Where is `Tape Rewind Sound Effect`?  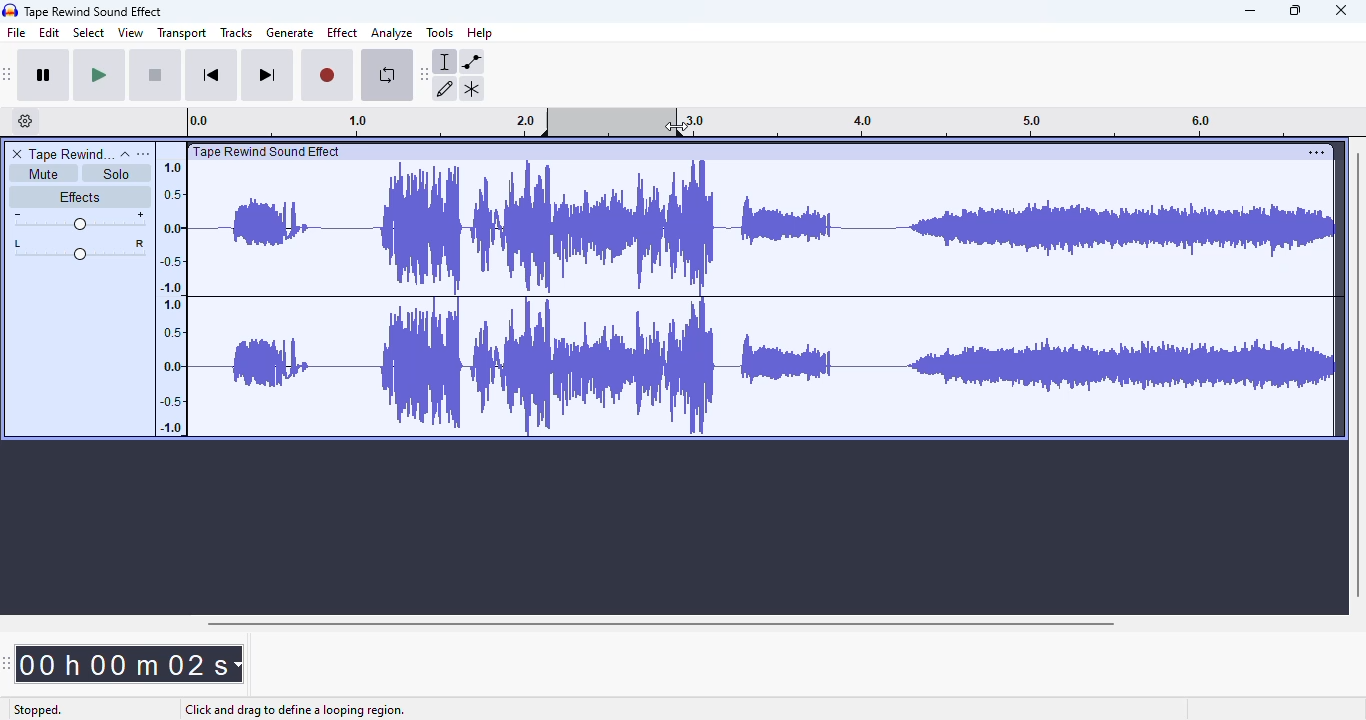 Tape Rewind Sound Effect is located at coordinates (101, 11).